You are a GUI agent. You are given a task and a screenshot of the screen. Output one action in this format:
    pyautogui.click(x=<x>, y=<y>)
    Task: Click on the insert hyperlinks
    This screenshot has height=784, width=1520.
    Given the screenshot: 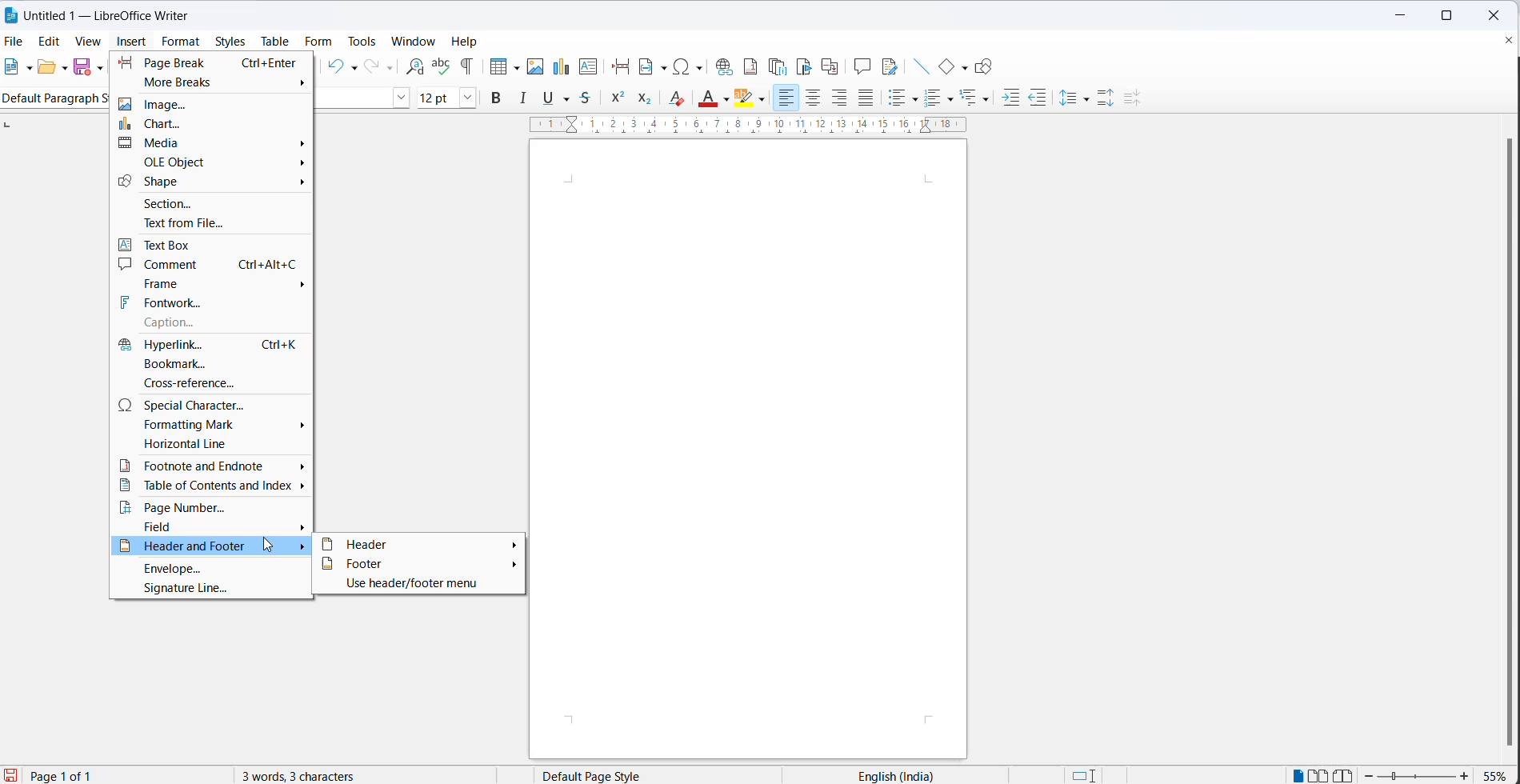 What is the action you would take?
    pyautogui.click(x=726, y=67)
    